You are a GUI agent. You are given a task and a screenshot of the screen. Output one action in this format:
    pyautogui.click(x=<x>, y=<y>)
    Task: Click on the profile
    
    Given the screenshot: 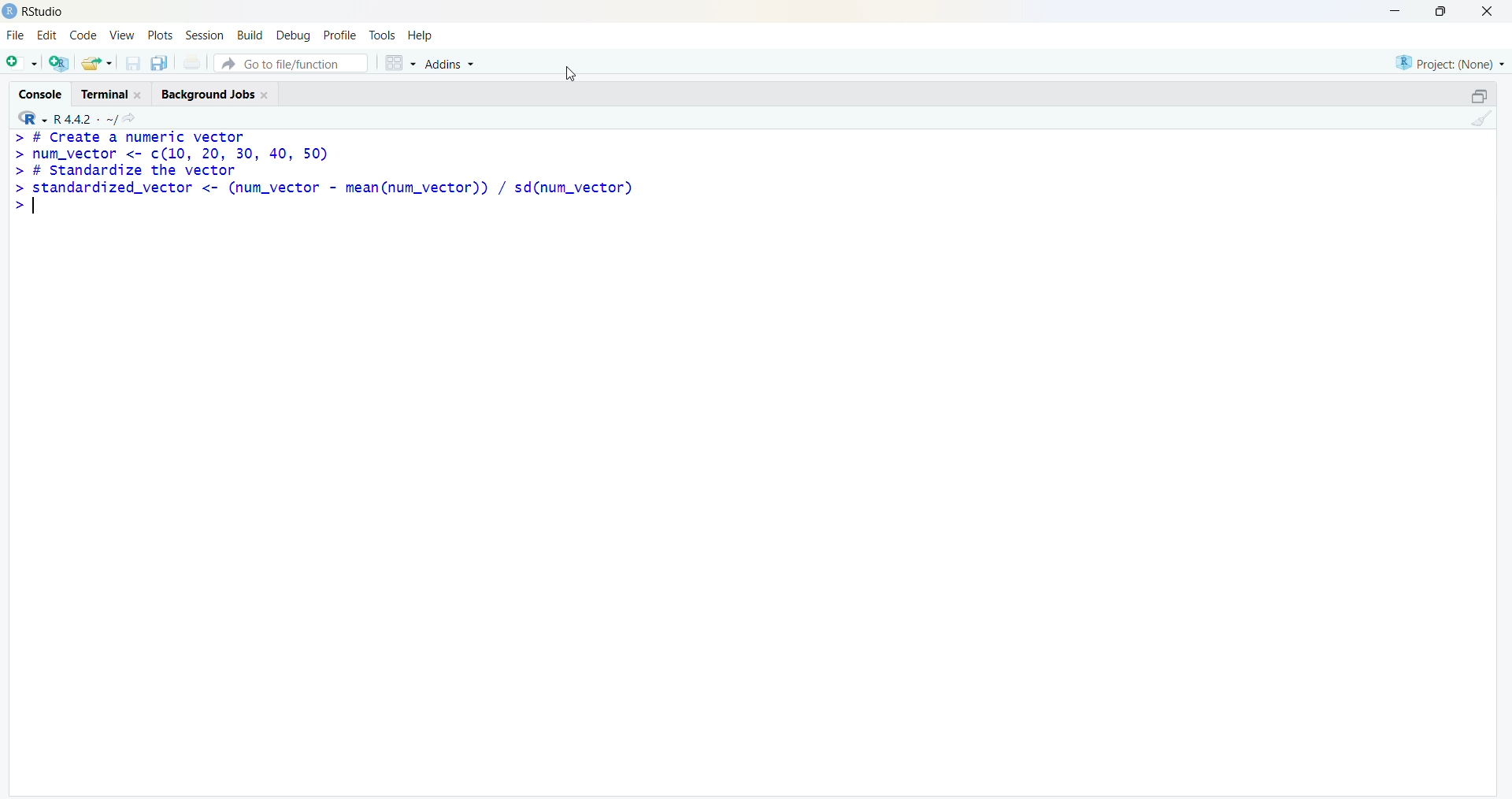 What is the action you would take?
    pyautogui.click(x=342, y=35)
    